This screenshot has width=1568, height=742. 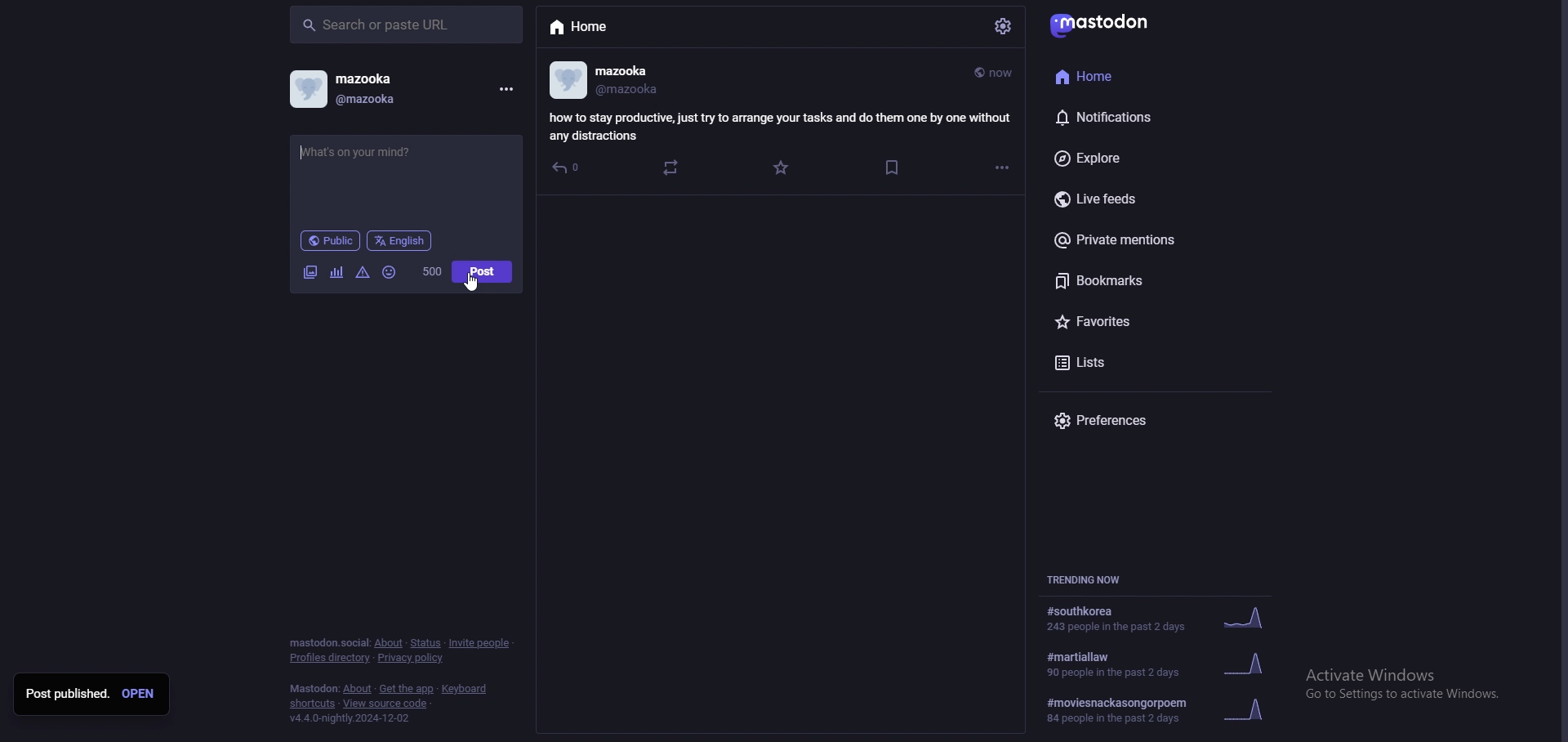 I want to click on more, so click(x=1002, y=168).